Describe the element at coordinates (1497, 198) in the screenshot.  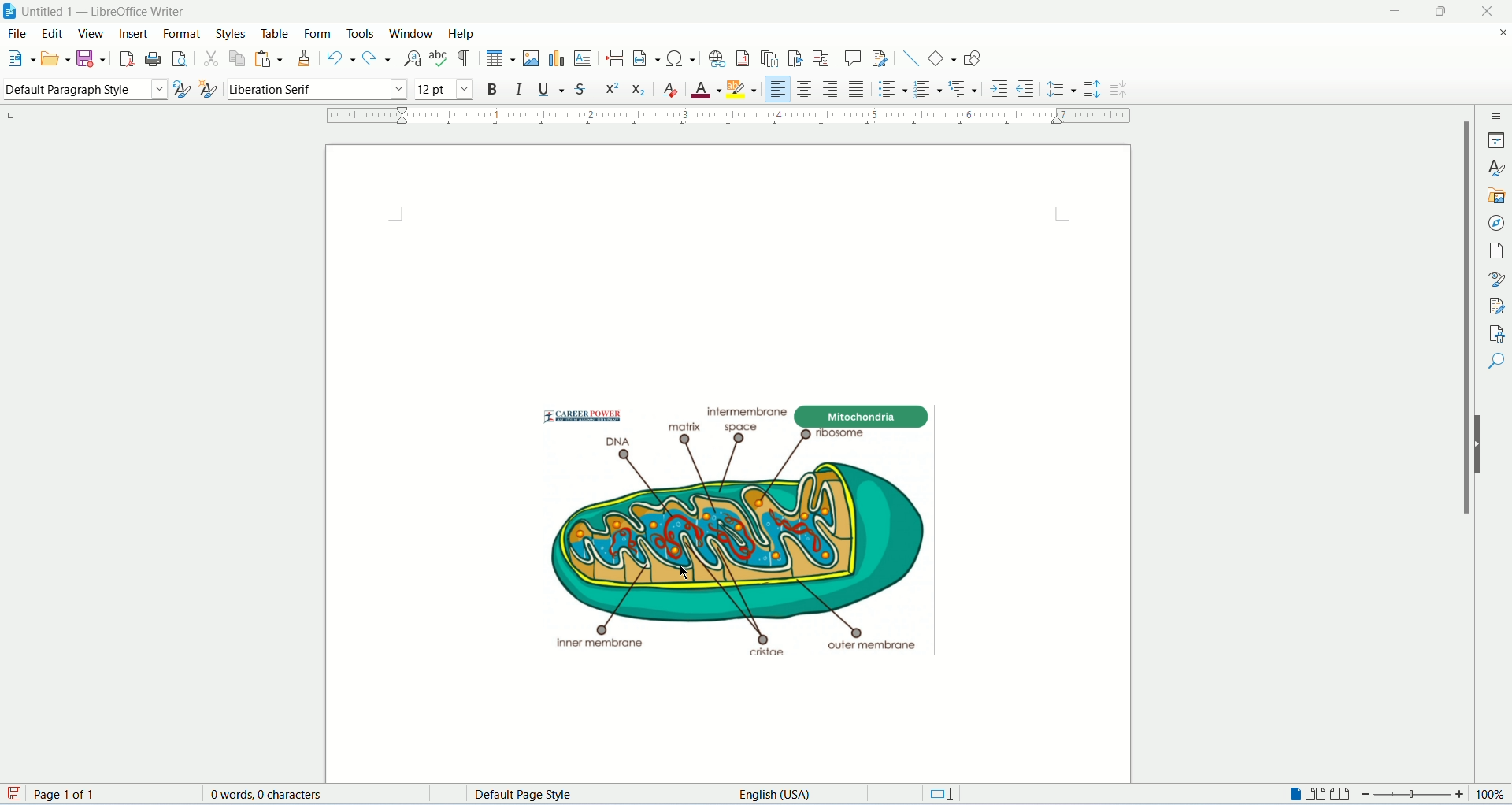
I see `gallery` at that location.